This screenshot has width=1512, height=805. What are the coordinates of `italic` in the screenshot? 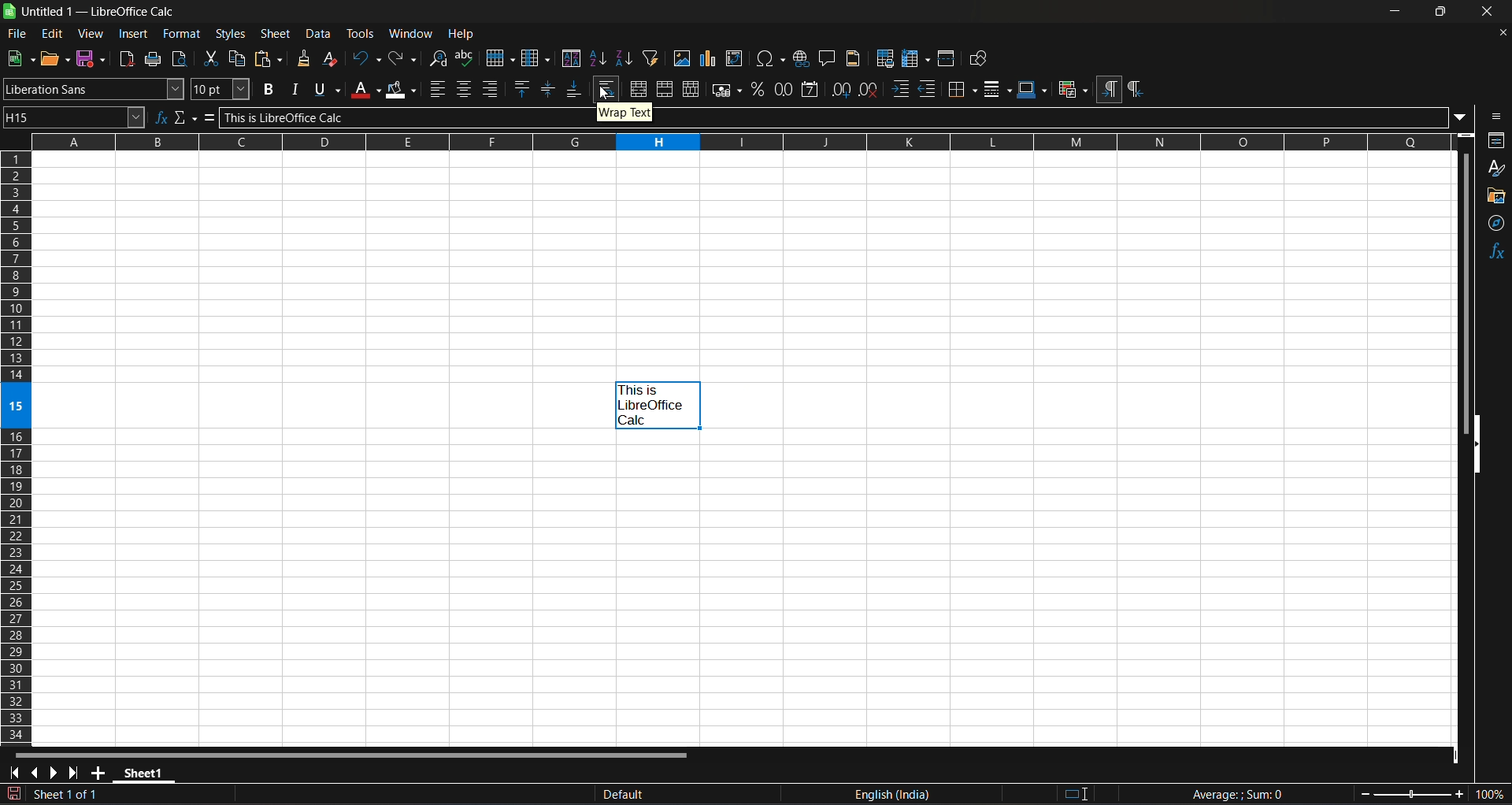 It's located at (295, 89).